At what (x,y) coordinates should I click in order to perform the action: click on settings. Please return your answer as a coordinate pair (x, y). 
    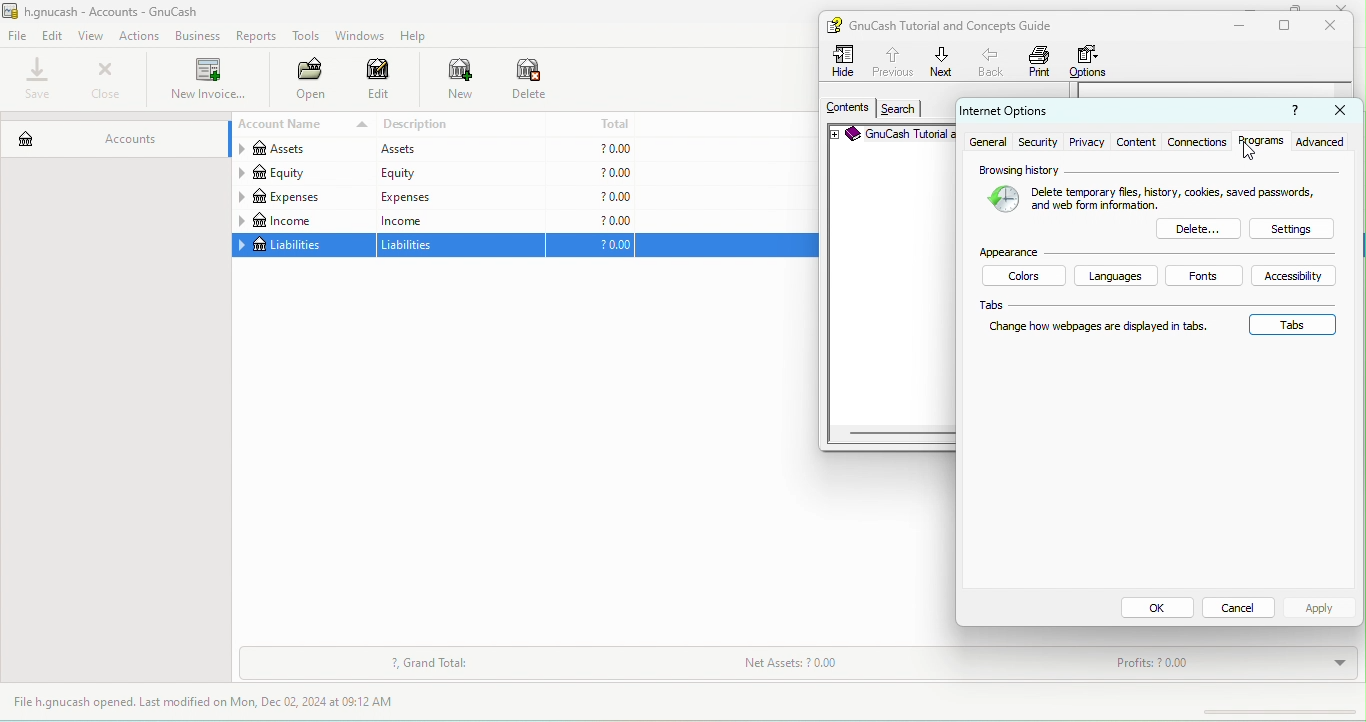
    Looking at the image, I should click on (1295, 228).